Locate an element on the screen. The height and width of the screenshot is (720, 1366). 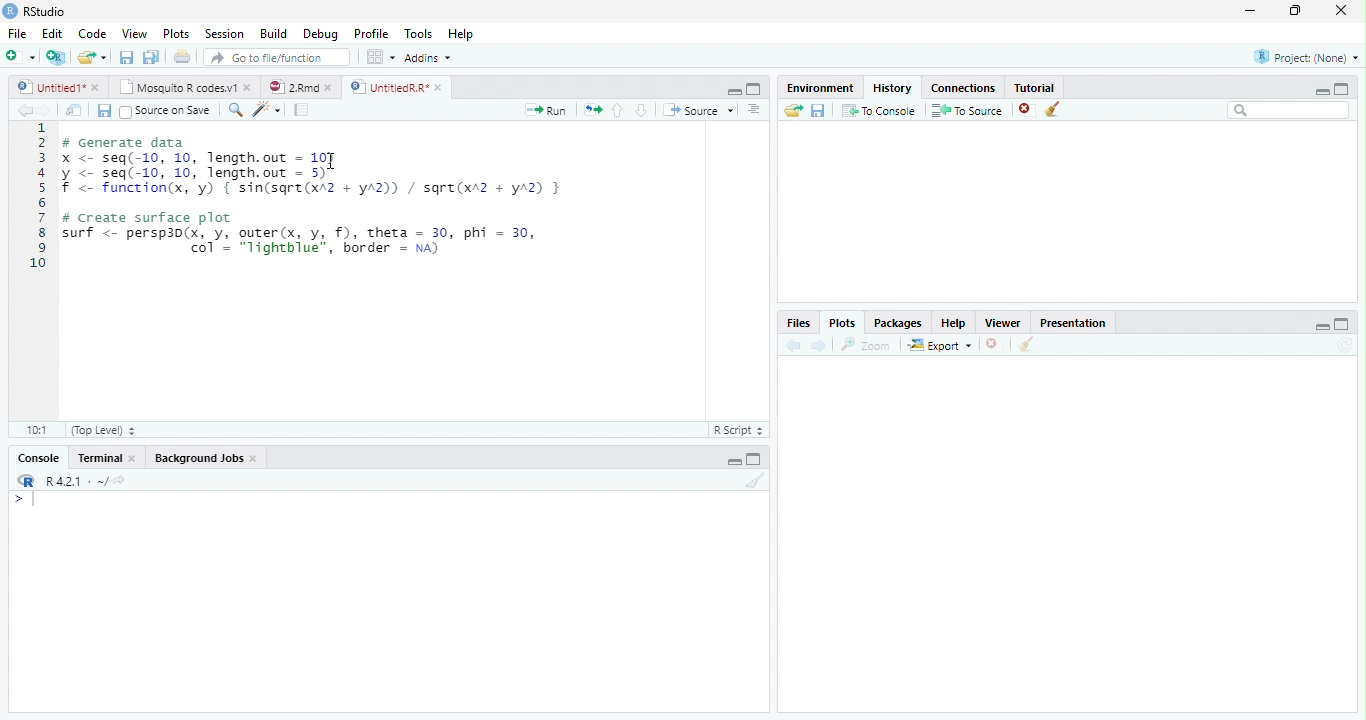
Files is located at coordinates (800, 322).